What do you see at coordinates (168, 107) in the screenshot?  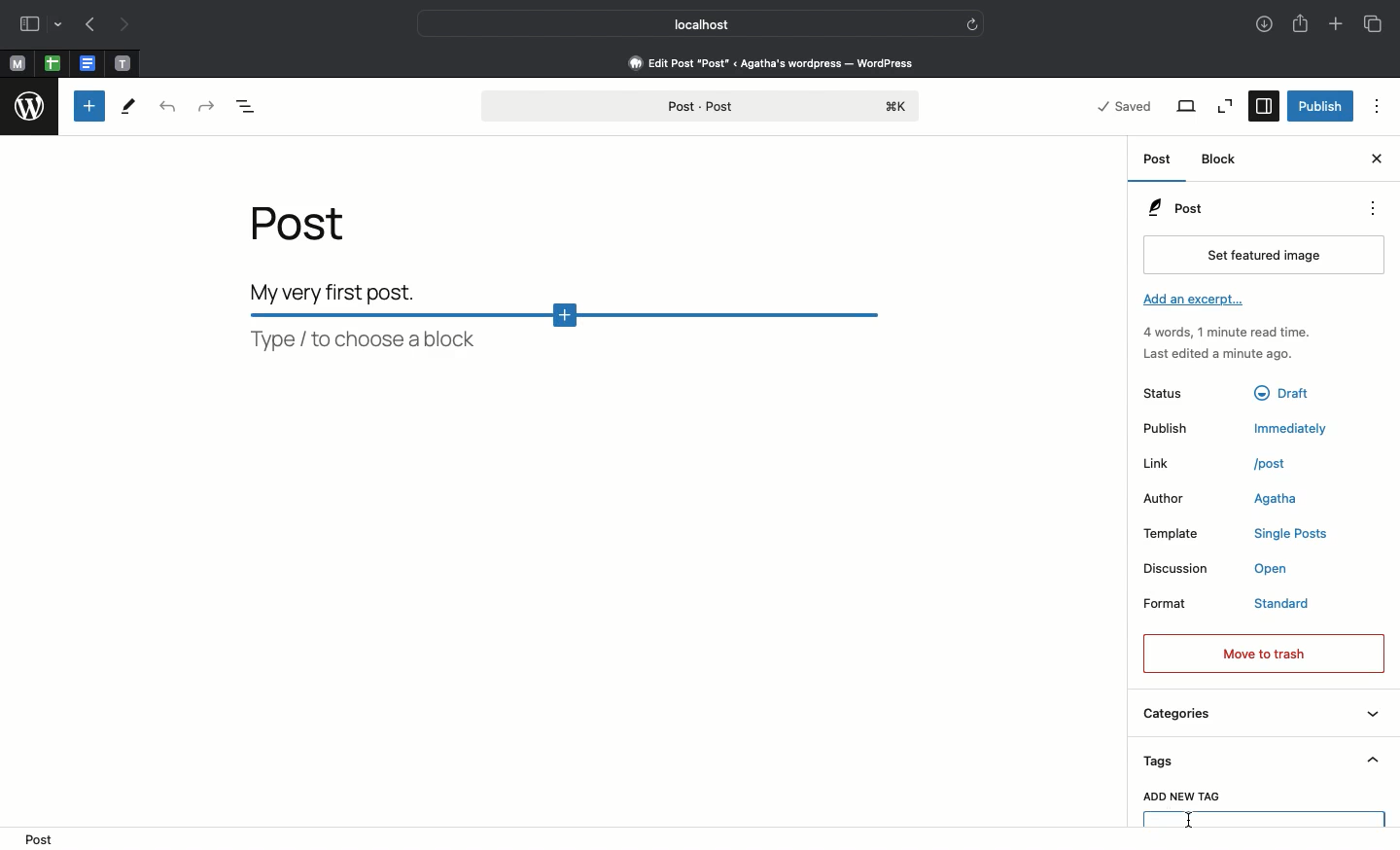 I see `Undo` at bounding box center [168, 107].